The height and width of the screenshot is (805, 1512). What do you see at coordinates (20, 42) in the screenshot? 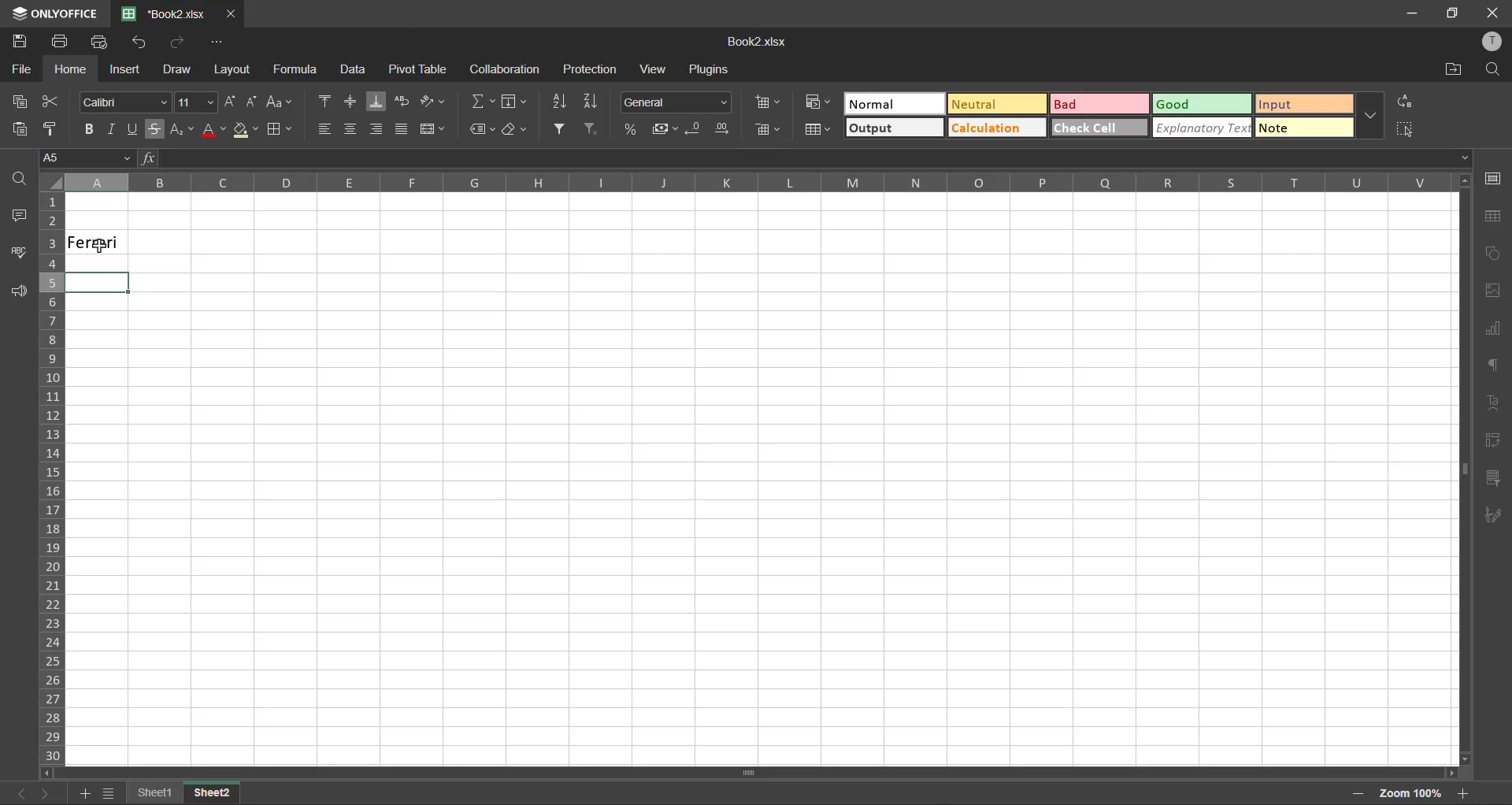
I see `save` at bounding box center [20, 42].